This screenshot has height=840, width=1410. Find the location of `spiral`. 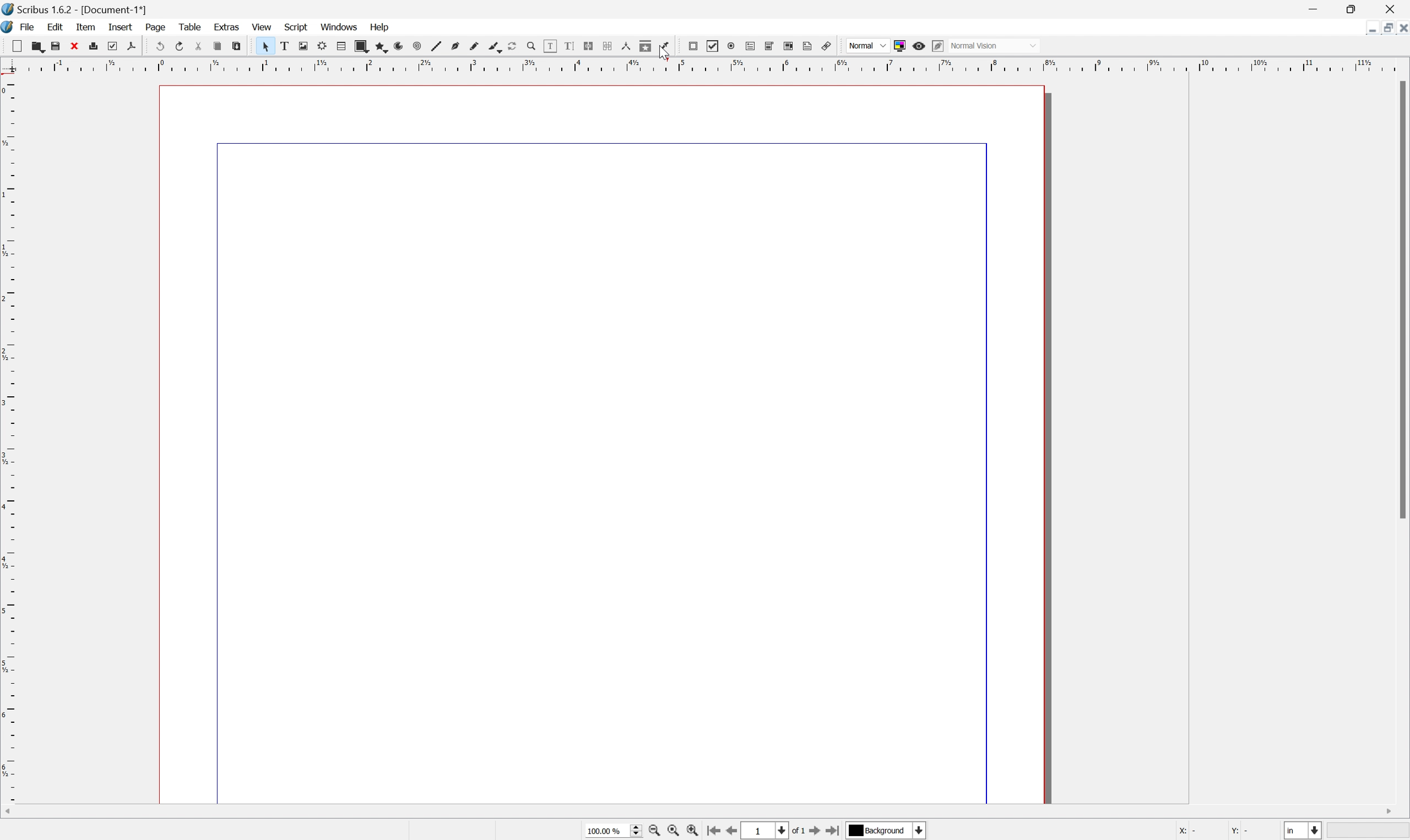

spiral is located at coordinates (413, 46).